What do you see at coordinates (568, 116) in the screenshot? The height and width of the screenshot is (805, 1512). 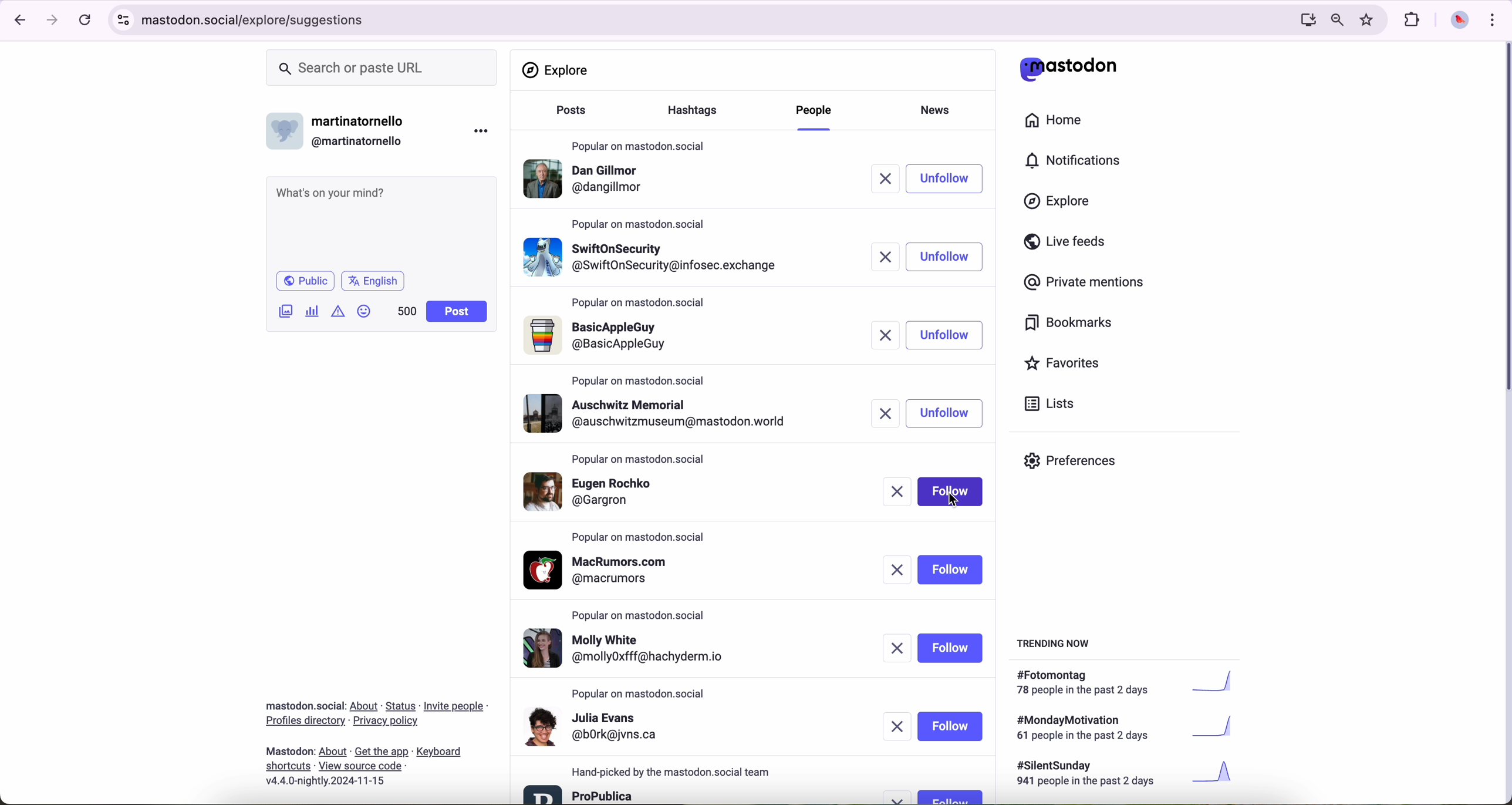 I see `posts` at bounding box center [568, 116].